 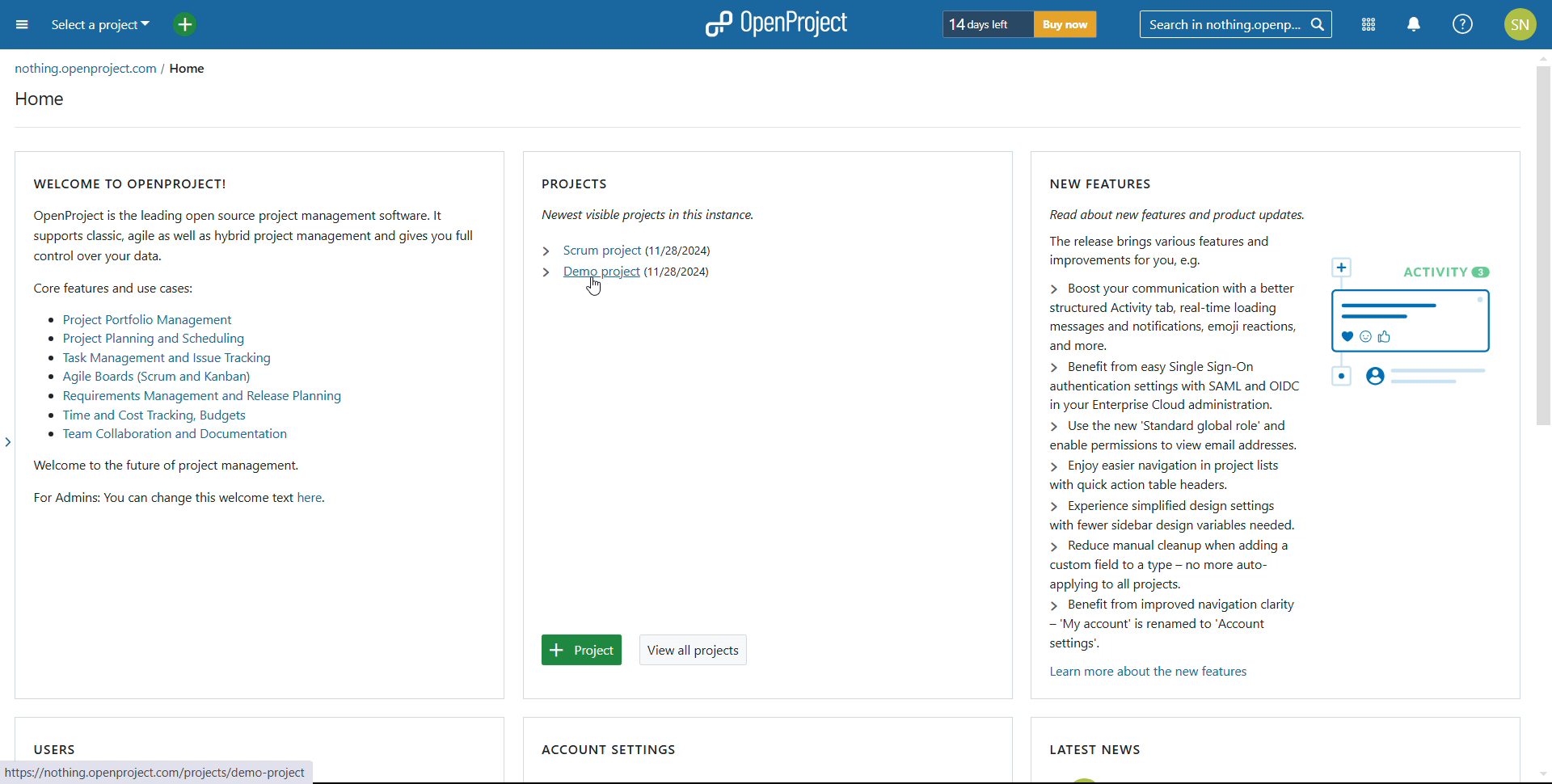 I want to click on view all projects, so click(x=693, y=650).